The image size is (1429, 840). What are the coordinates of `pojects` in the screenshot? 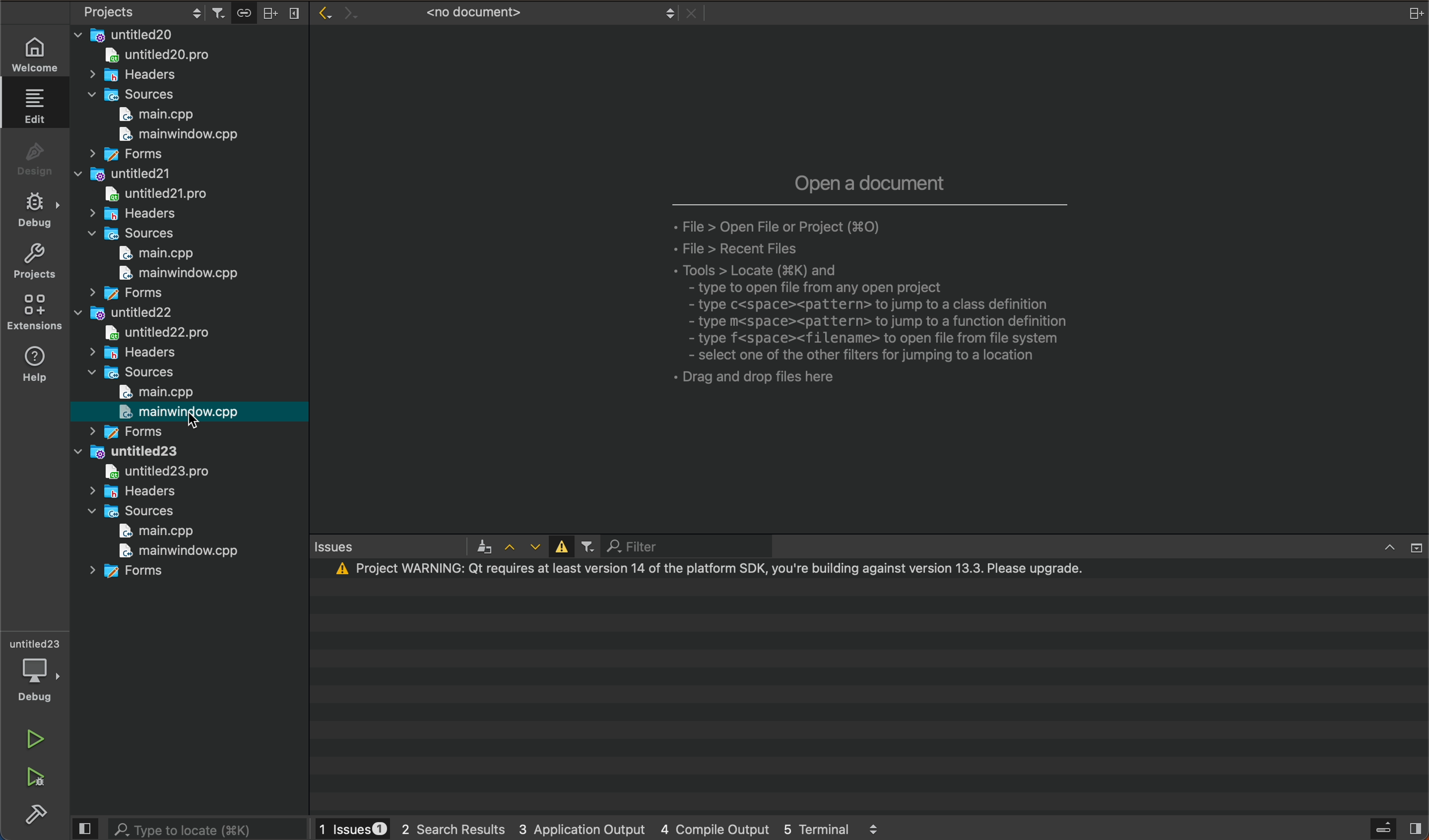 It's located at (139, 14).